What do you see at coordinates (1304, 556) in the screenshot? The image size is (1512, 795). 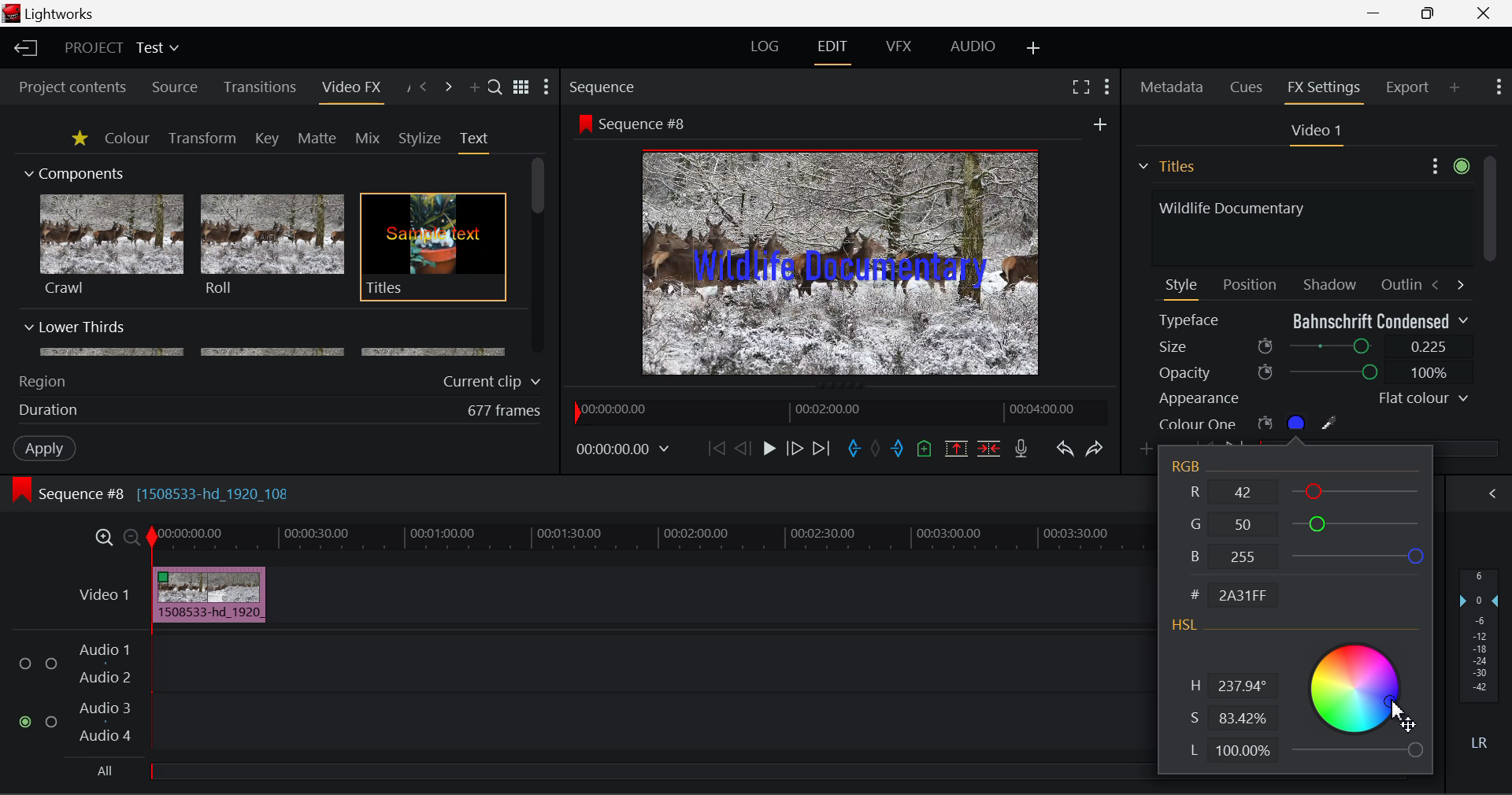 I see `B` at bounding box center [1304, 556].